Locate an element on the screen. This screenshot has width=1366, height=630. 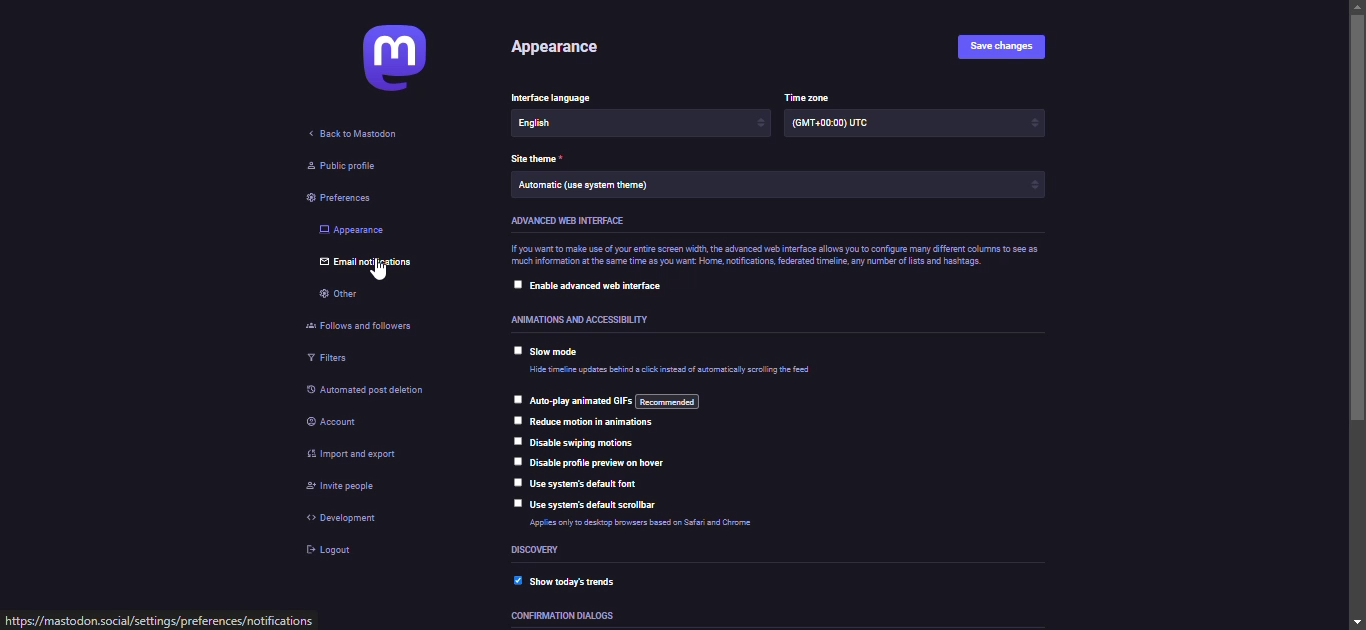
advanced web interface is located at coordinates (571, 220).